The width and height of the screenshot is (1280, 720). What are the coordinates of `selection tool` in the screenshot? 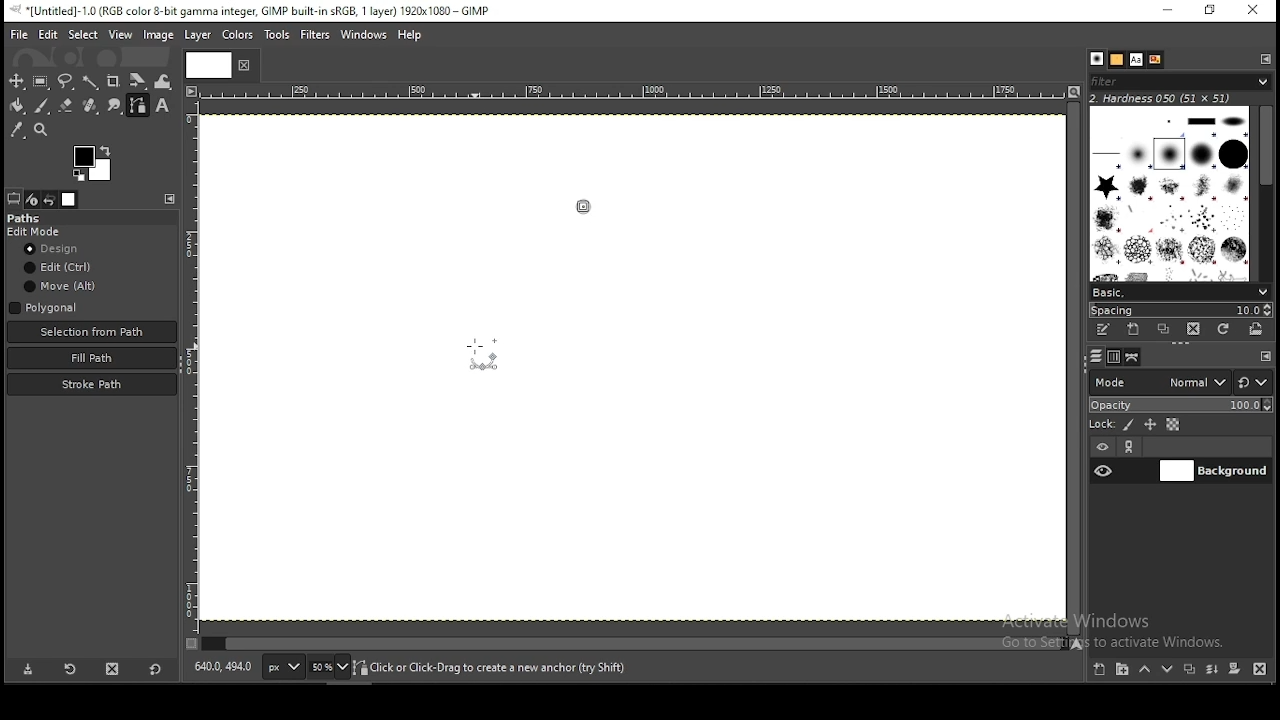 It's located at (14, 81).